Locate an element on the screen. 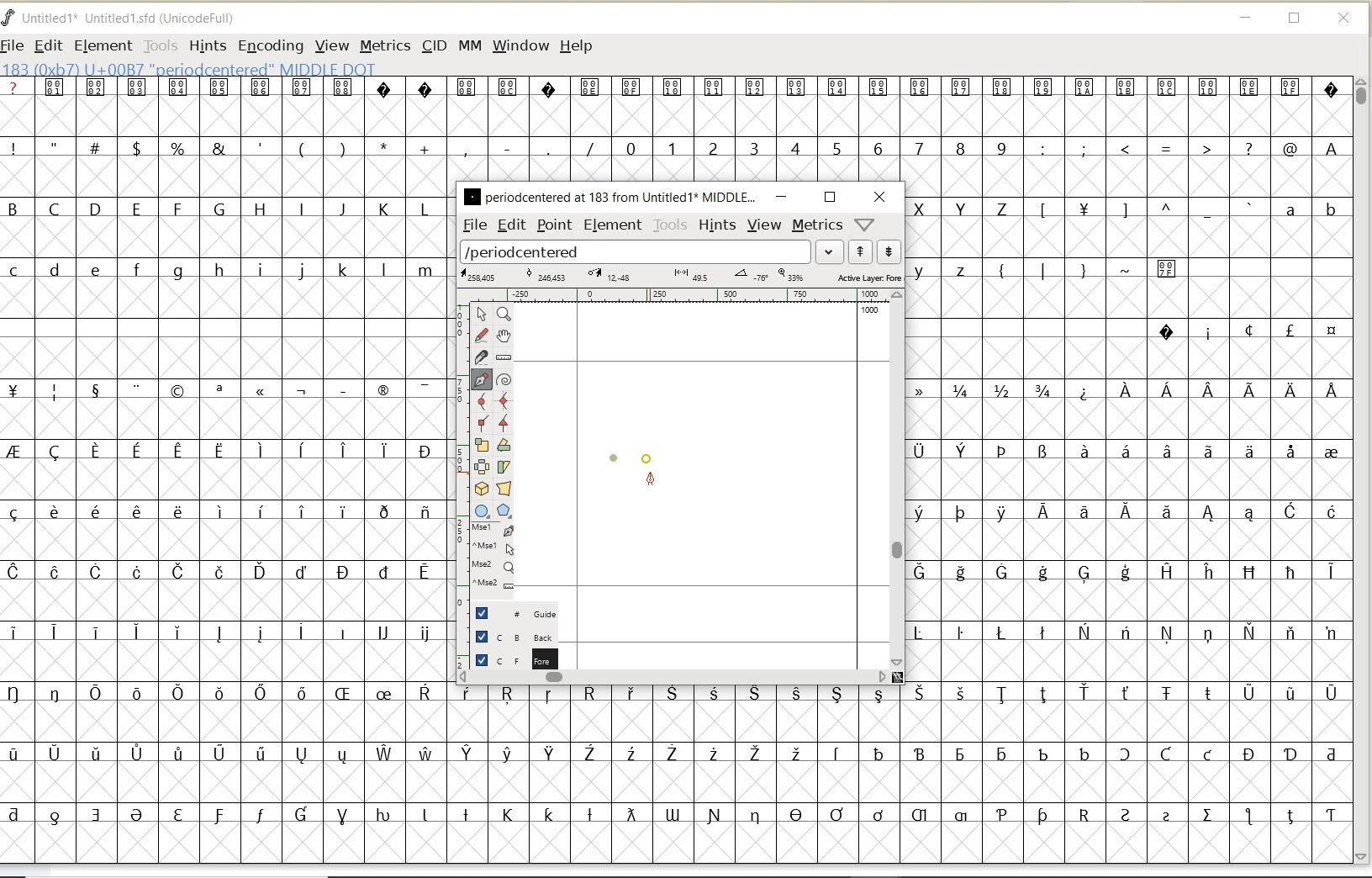 This screenshot has height=878, width=1372. hints is located at coordinates (718, 225).